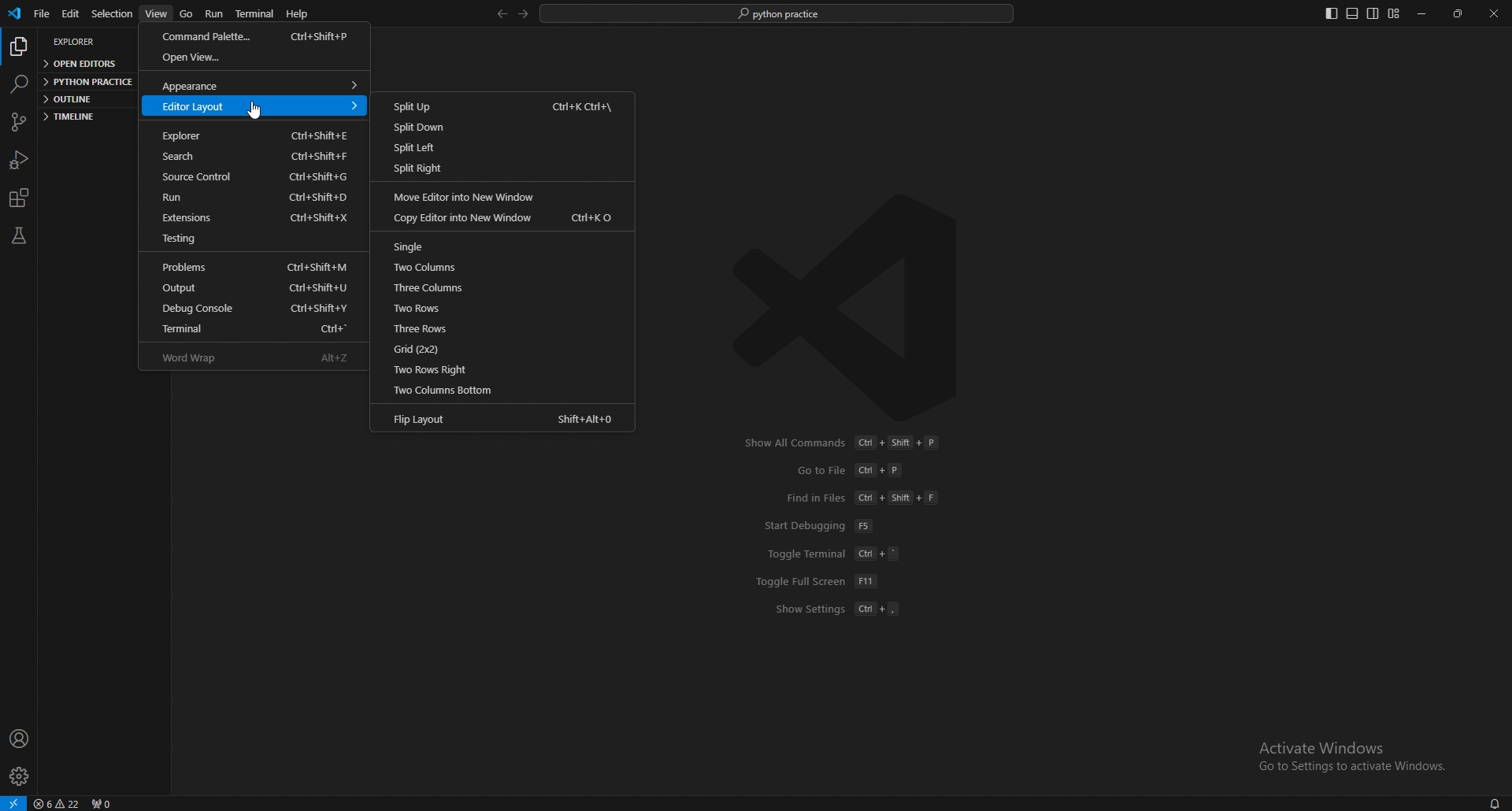 This screenshot has width=1512, height=811. I want to click on remote window, so click(14, 802).